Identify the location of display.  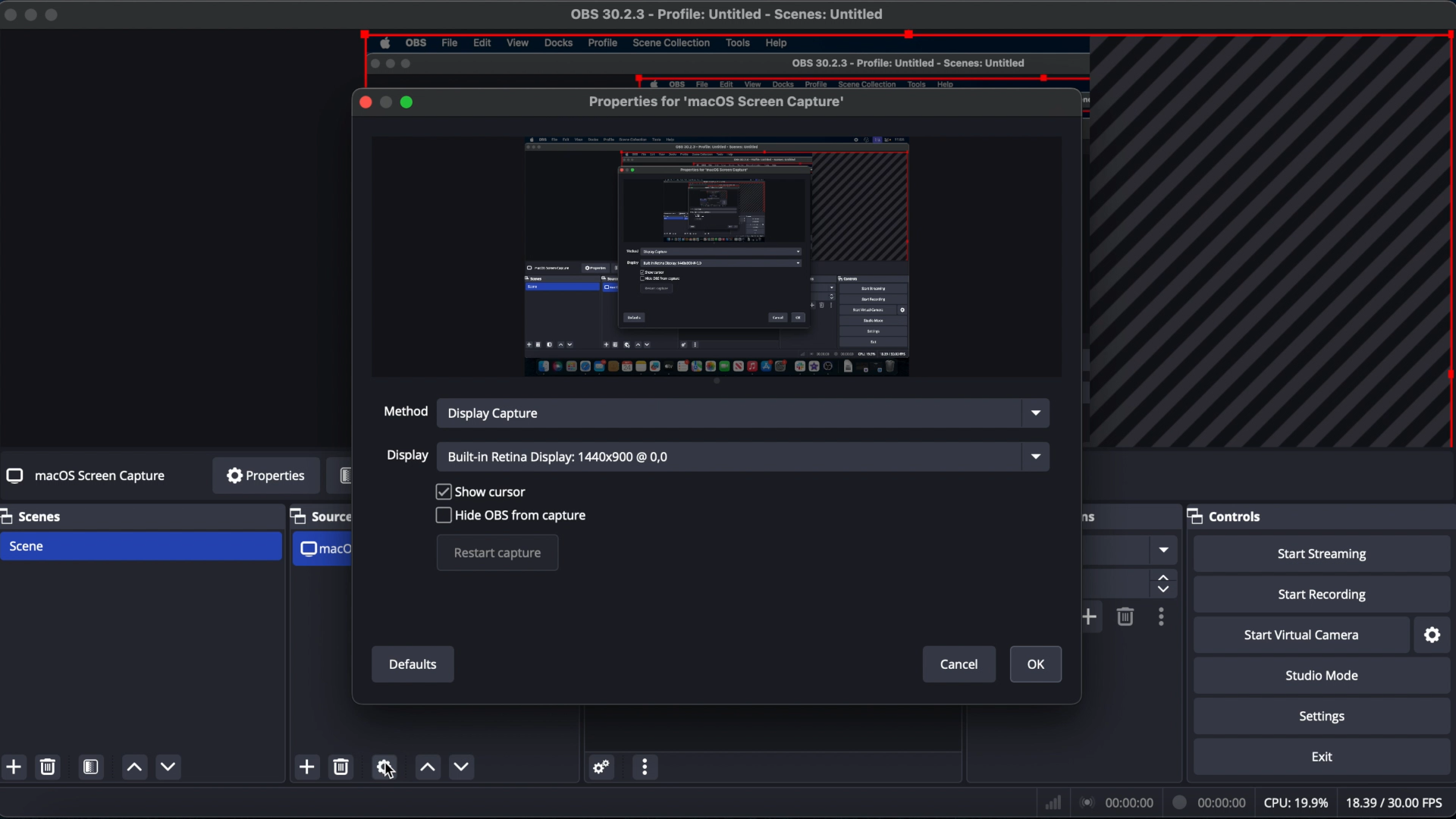
(409, 456).